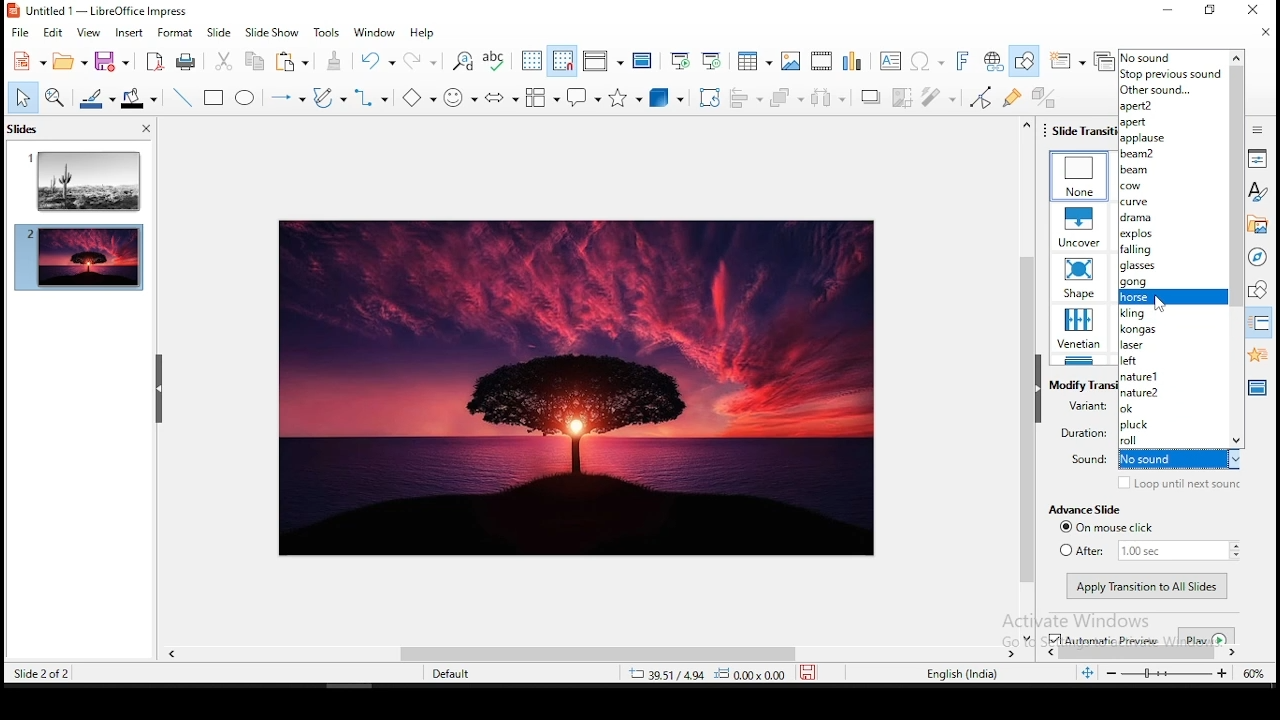  What do you see at coordinates (709, 96) in the screenshot?
I see `crop tool` at bounding box center [709, 96].